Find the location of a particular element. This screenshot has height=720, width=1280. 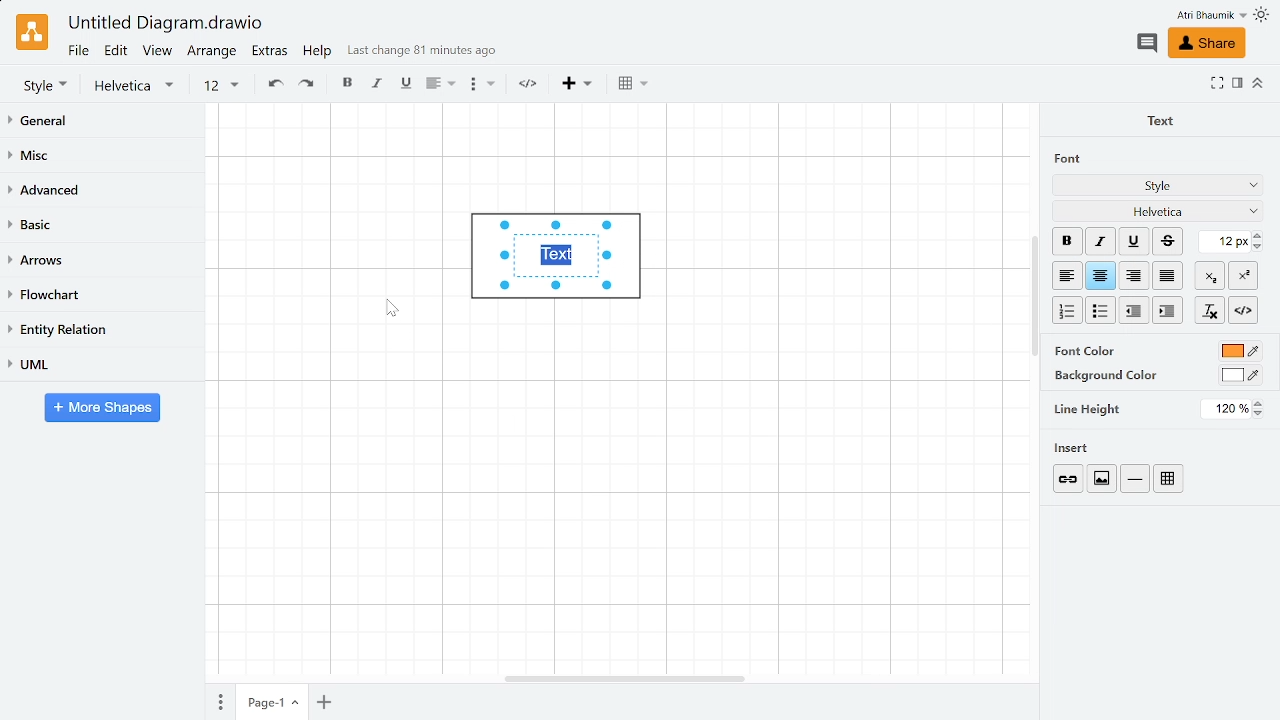

Bullet is located at coordinates (1102, 310).